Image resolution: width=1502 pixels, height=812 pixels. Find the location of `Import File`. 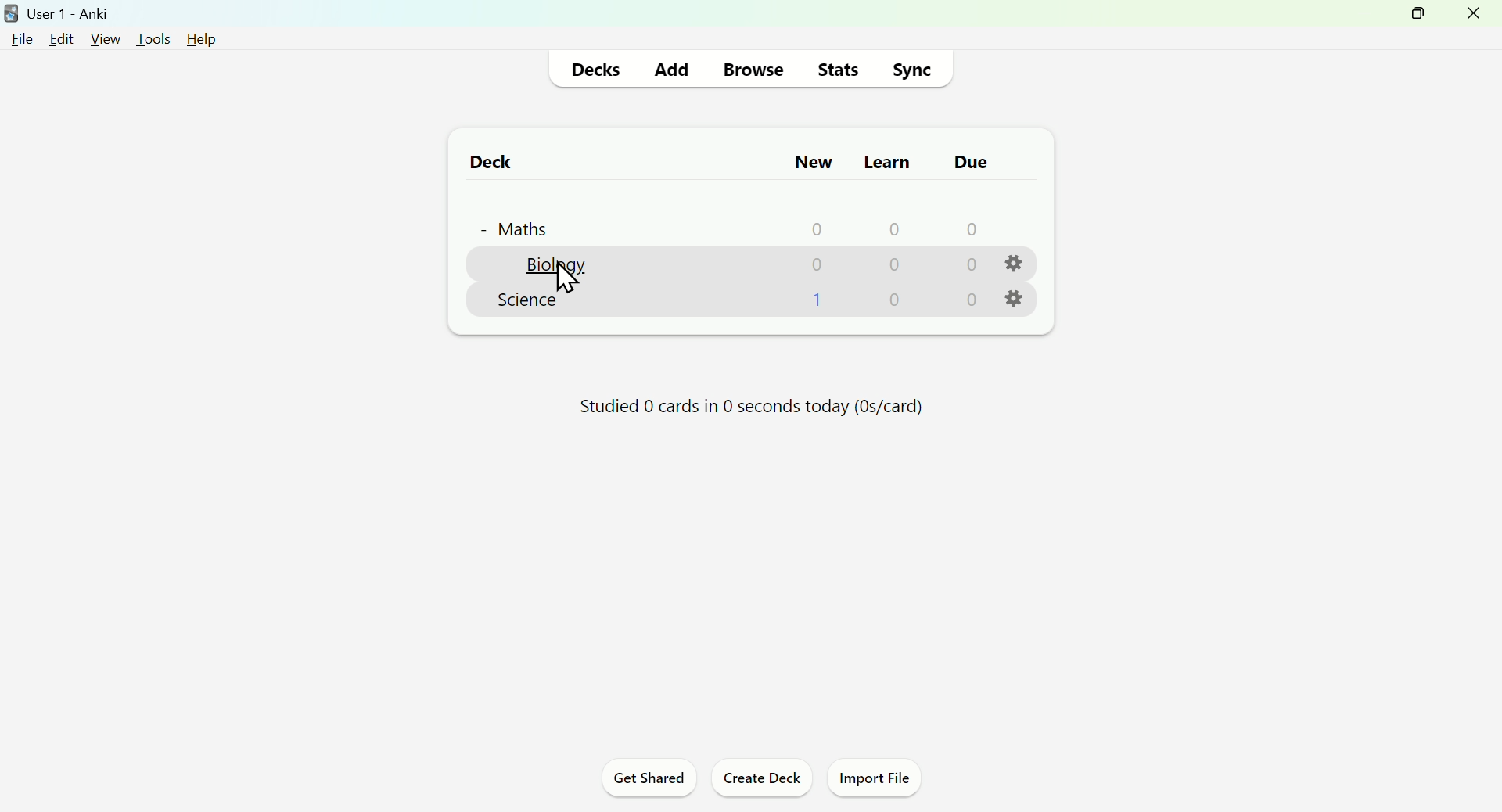

Import File is located at coordinates (873, 780).